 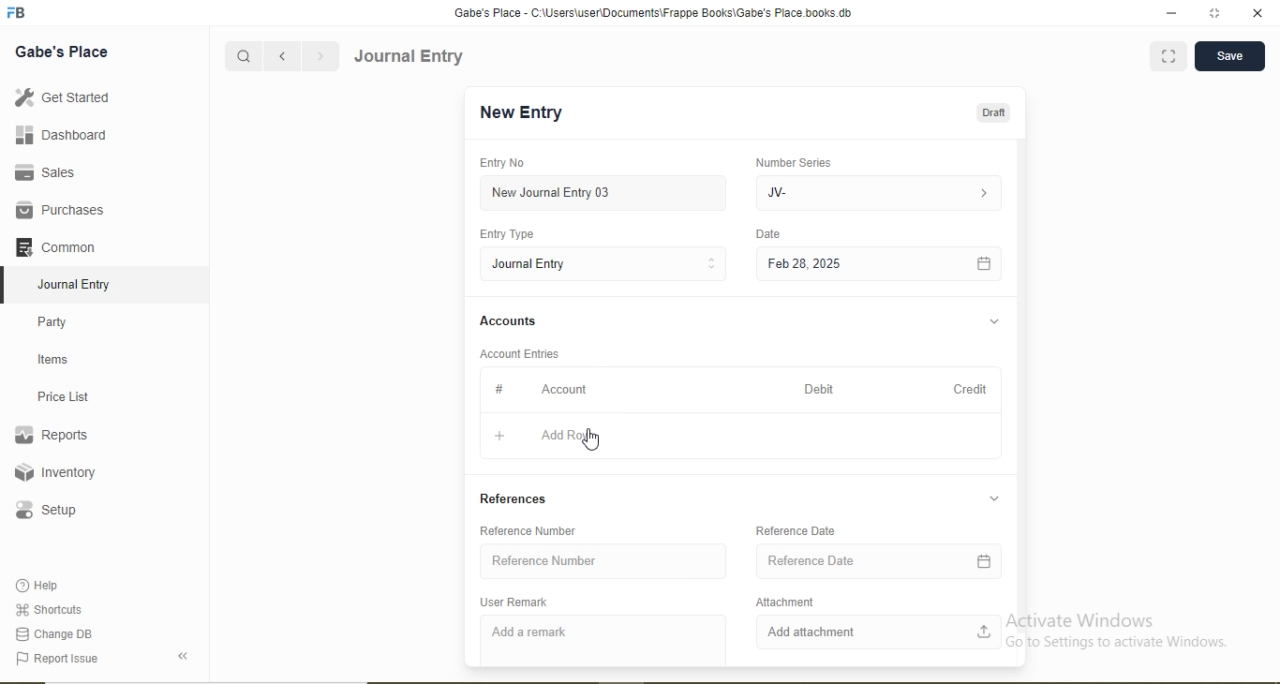 What do you see at coordinates (594, 442) in the screenshot?
I see `Cursor` at bounding box center [594, 442].